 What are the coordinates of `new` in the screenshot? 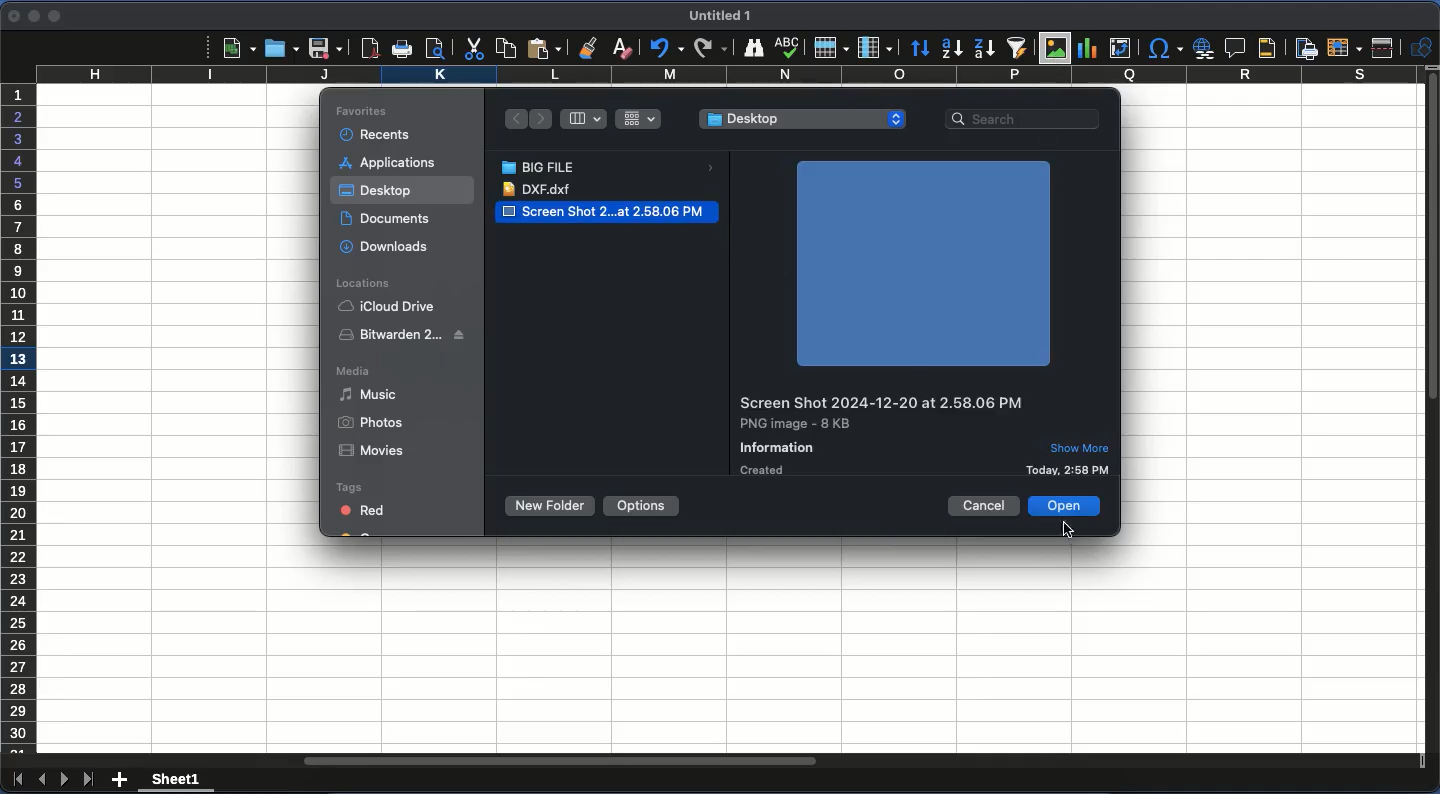 It's located at (239, 49).